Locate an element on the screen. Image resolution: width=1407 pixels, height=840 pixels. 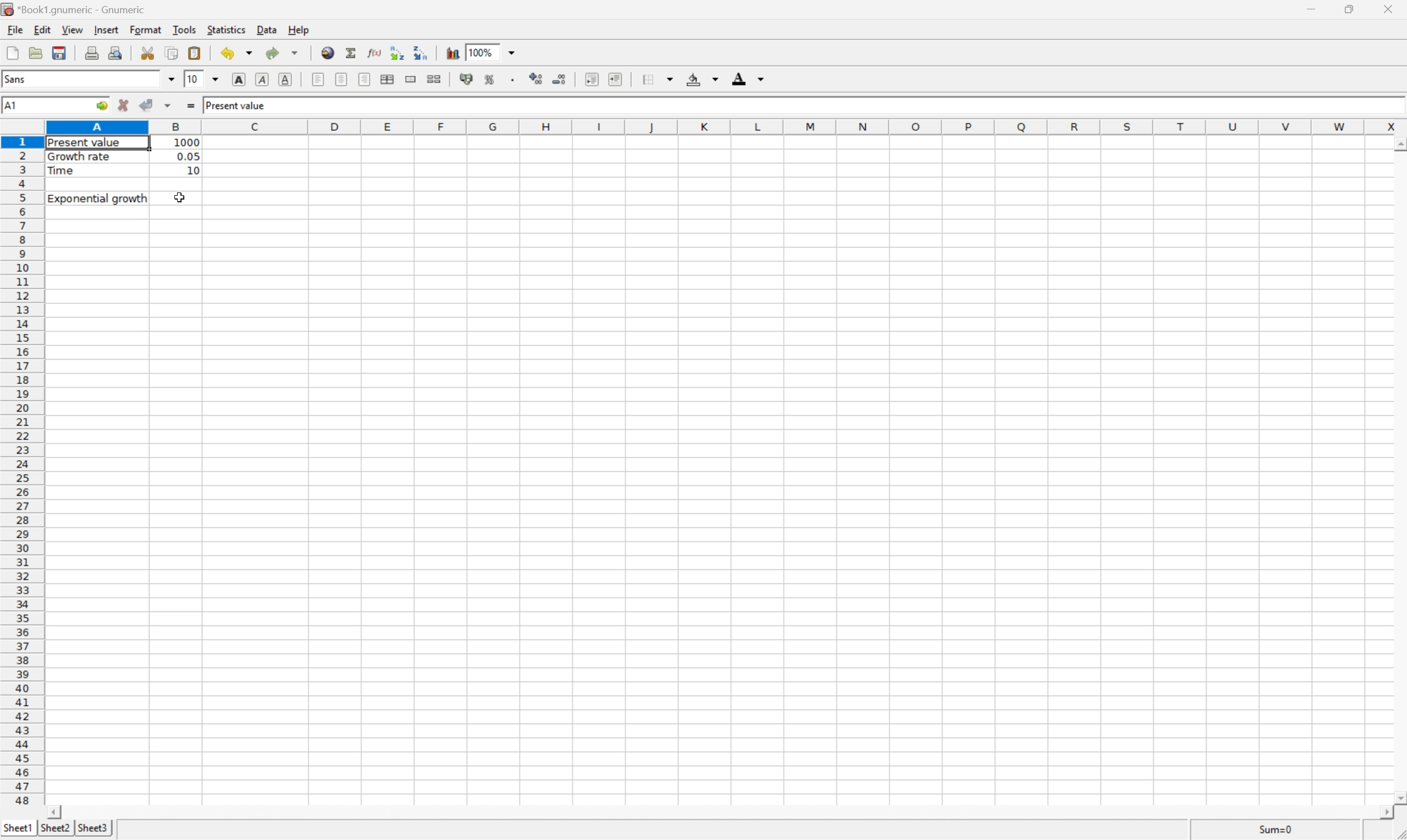
Column names is located at coordinates (726, 127).